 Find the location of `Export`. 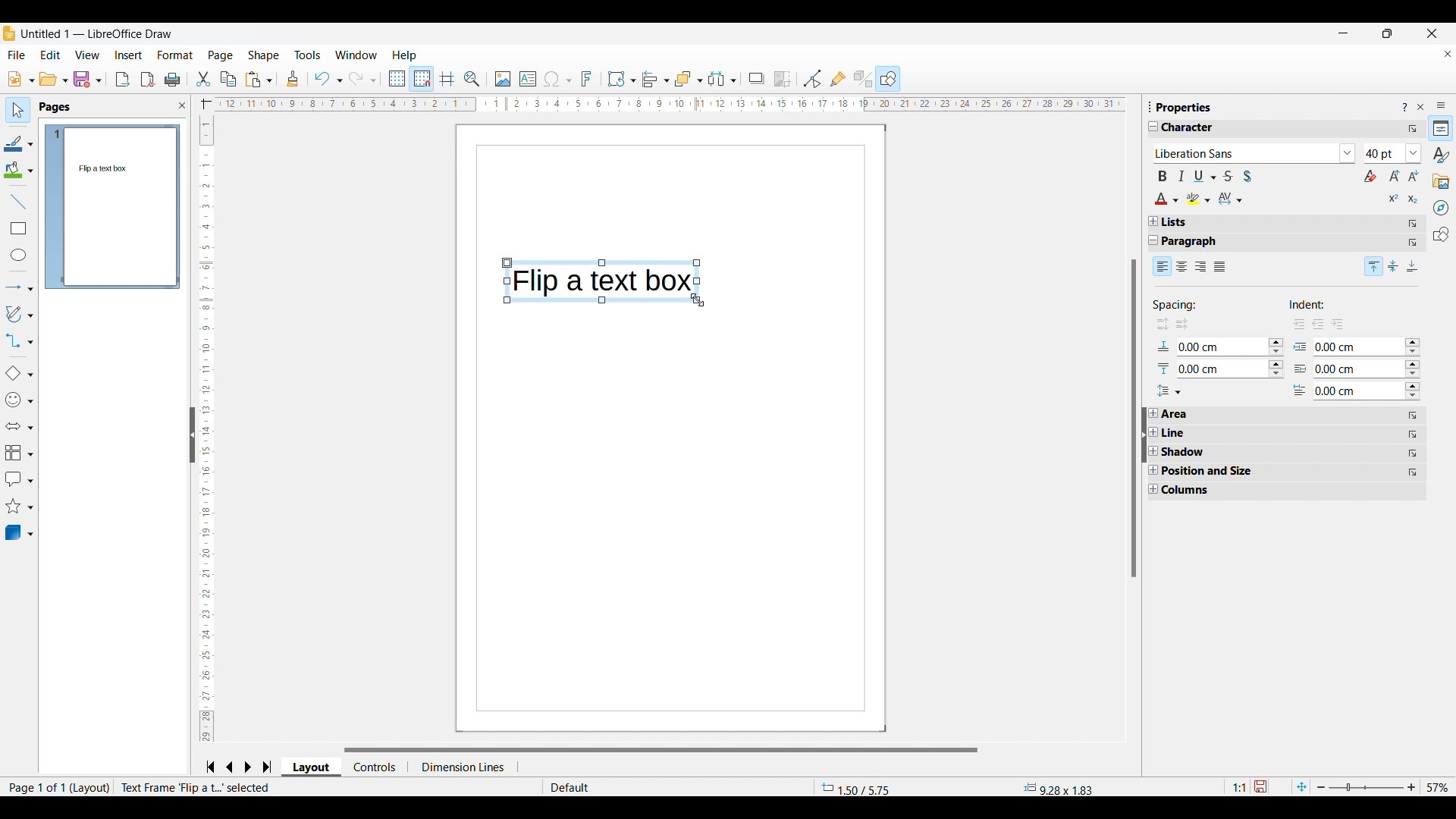

Export is located at coordinates (123, 80).